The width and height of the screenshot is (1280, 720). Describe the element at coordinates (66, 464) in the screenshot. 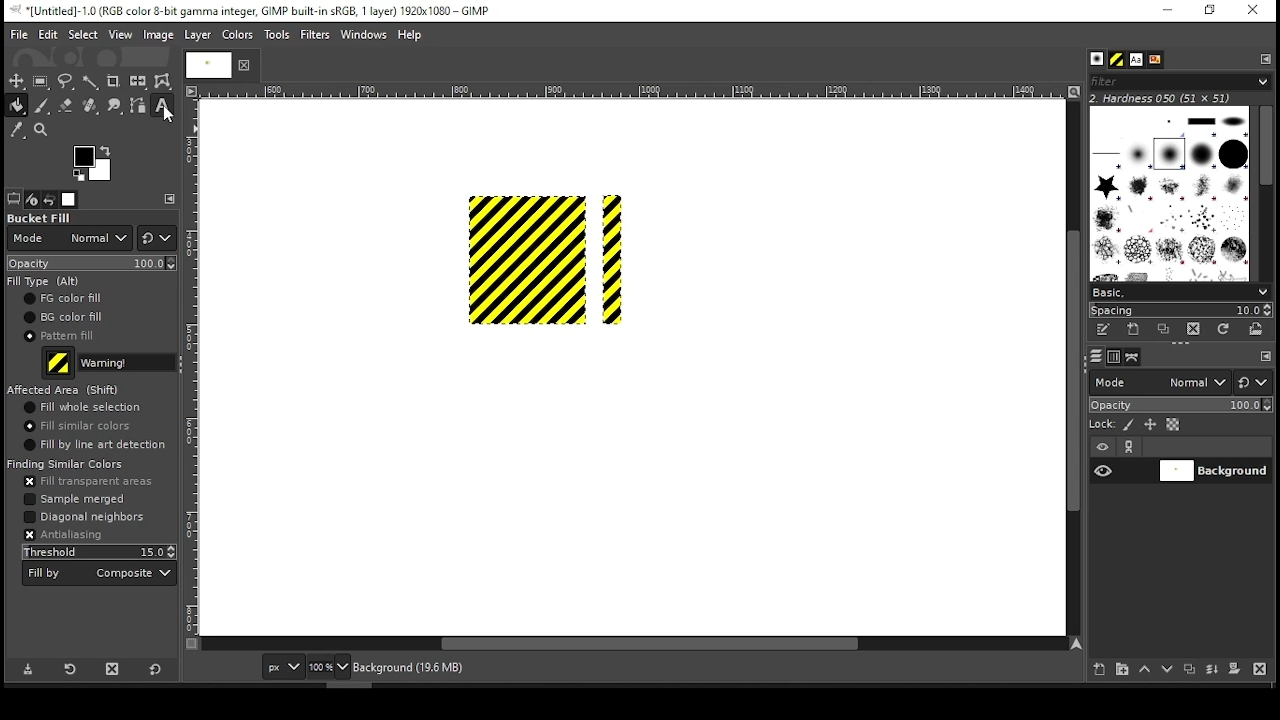

I see `finding similar colors` at that location.